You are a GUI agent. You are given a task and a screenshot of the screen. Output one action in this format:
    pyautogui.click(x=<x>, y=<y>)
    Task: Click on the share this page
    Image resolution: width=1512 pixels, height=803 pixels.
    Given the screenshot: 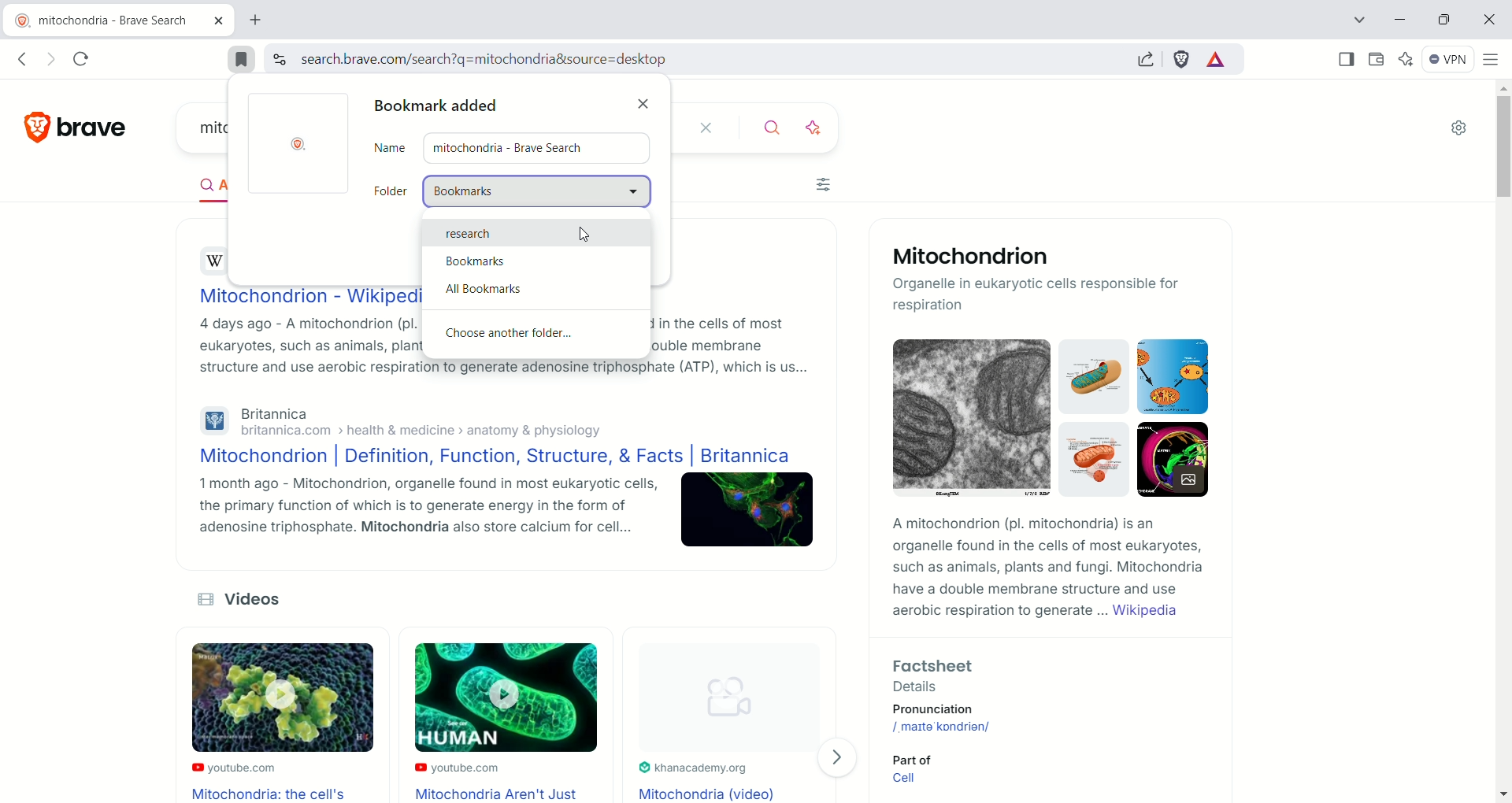 What is the action you would take?
    pyautogui.click(x=1151, y=60)
    